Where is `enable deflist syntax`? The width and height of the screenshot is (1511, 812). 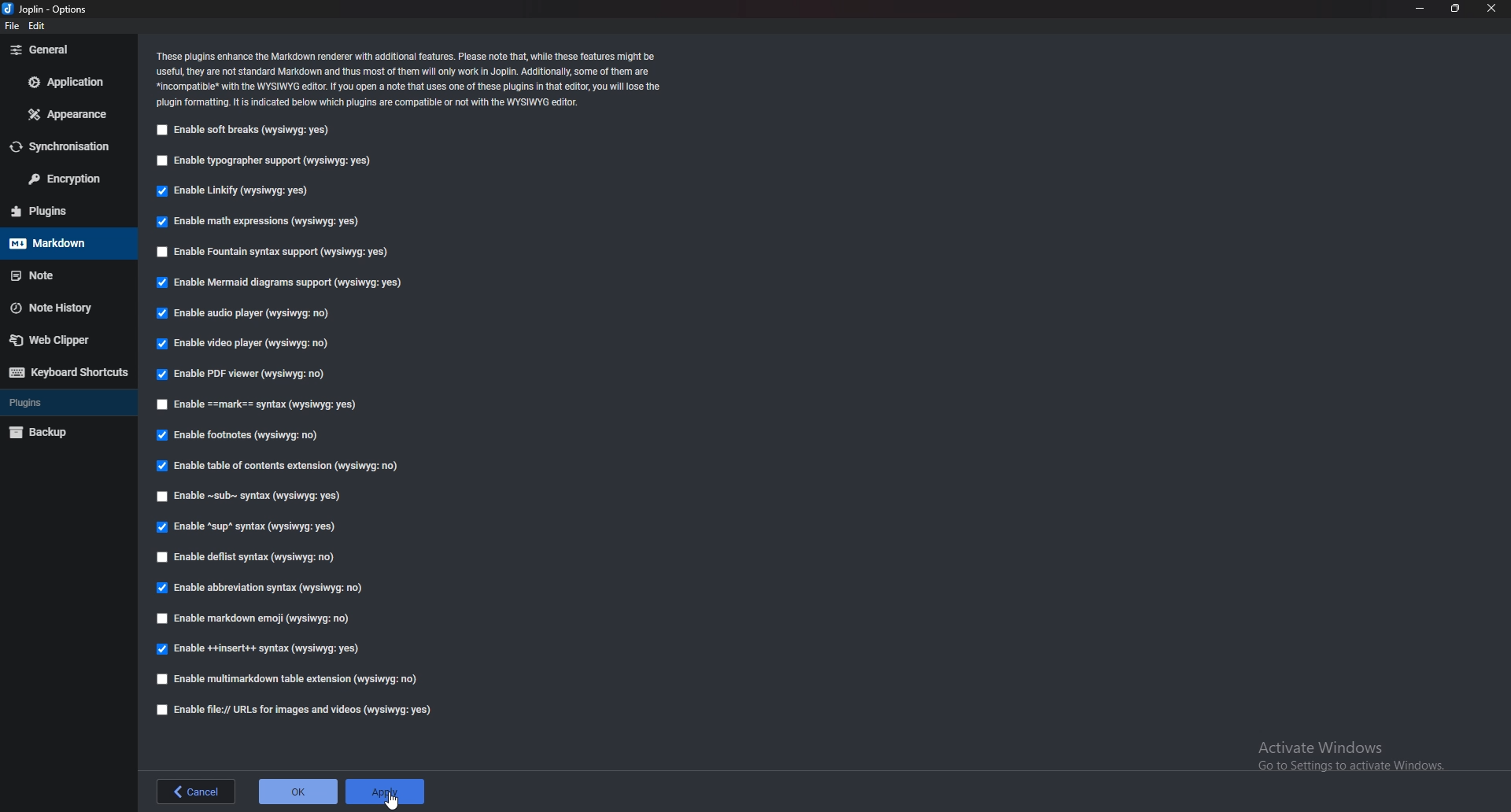 enable deflist syntax is located at coordinates (247, 555).